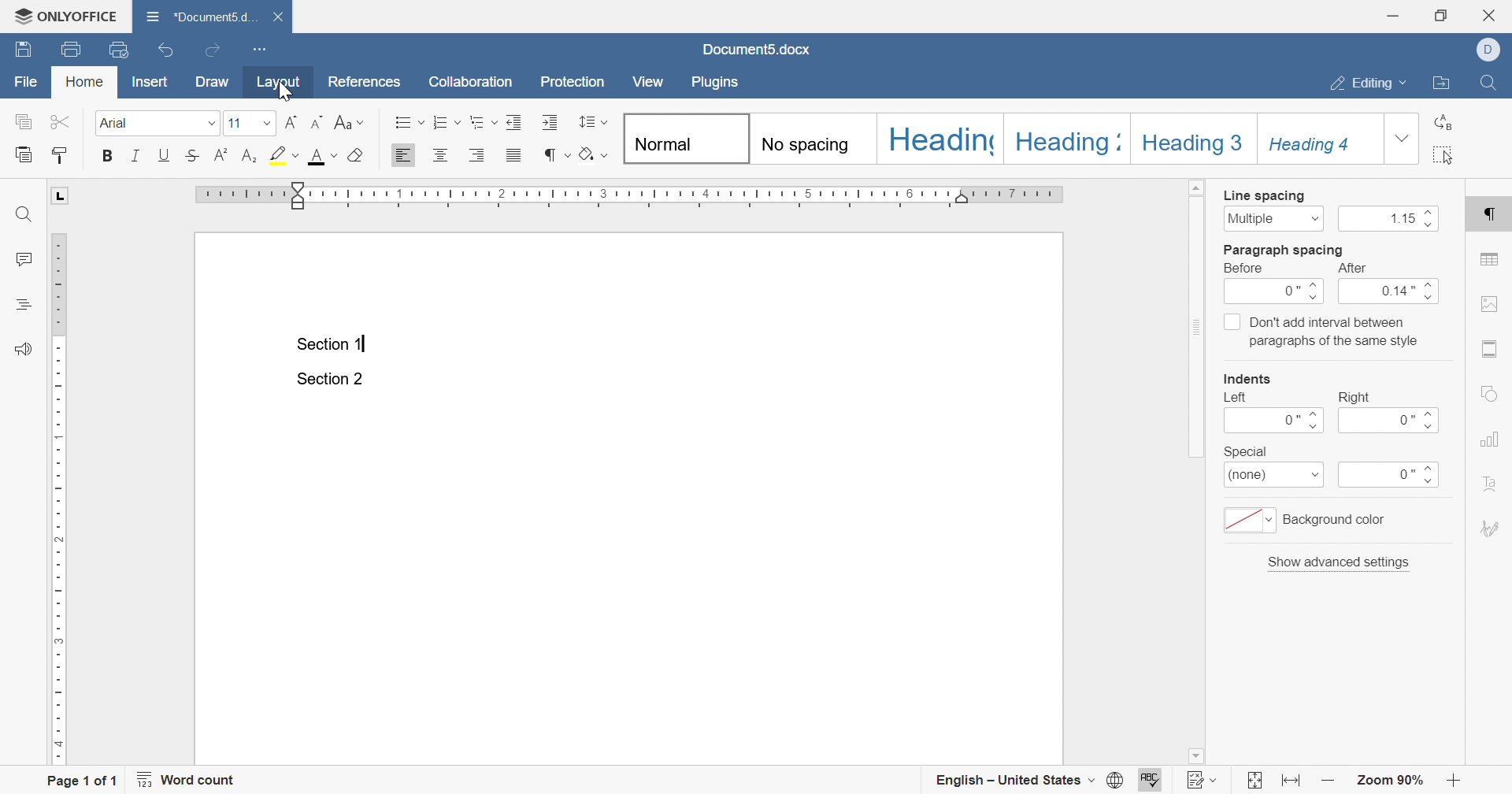  What do you see at coordinates (1276, 293) in the screenshot?
I see `0` at bounding box center [1276, 293].